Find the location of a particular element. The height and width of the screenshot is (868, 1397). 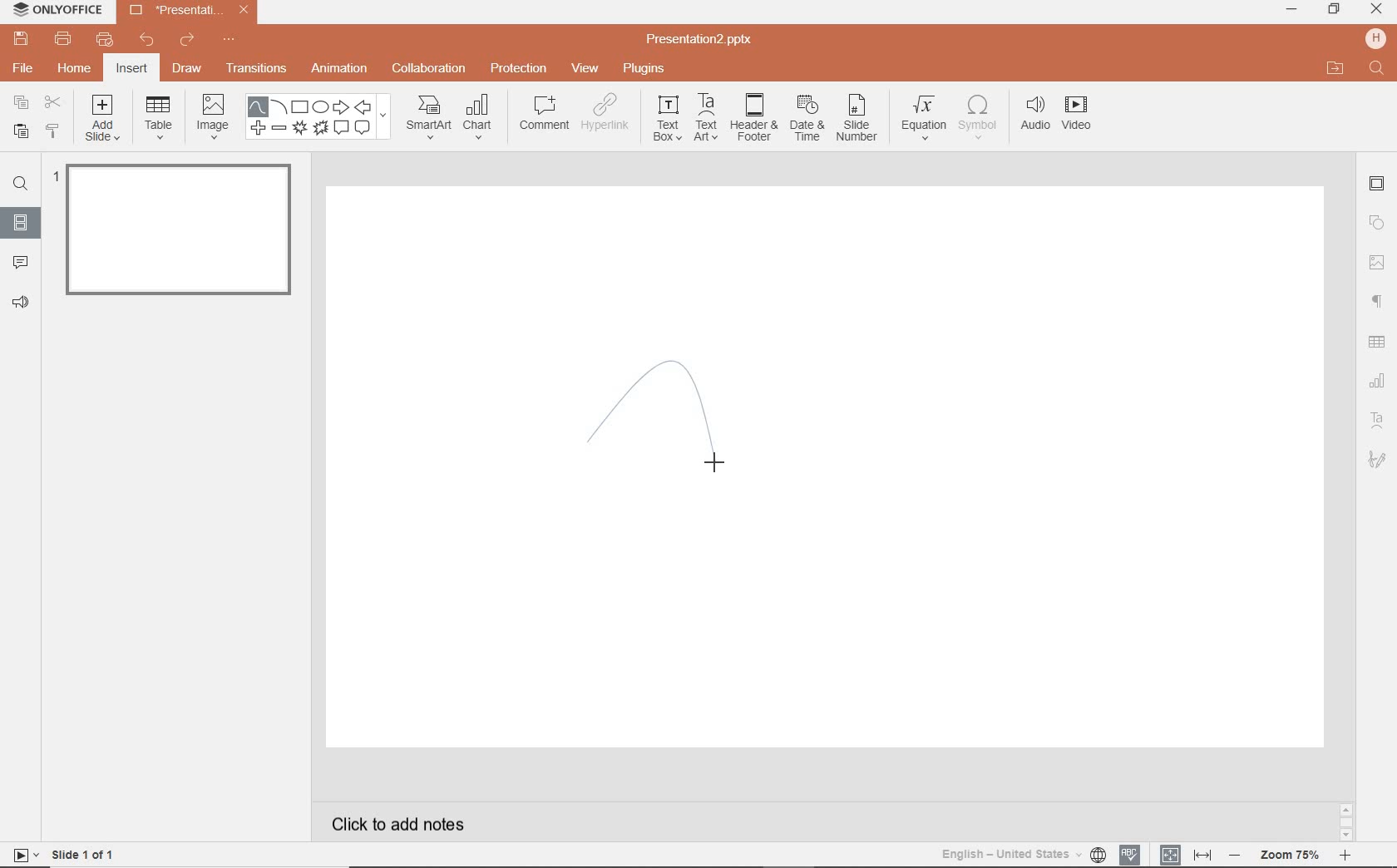

SIGNATURE is located at coordinates (1378, 461).